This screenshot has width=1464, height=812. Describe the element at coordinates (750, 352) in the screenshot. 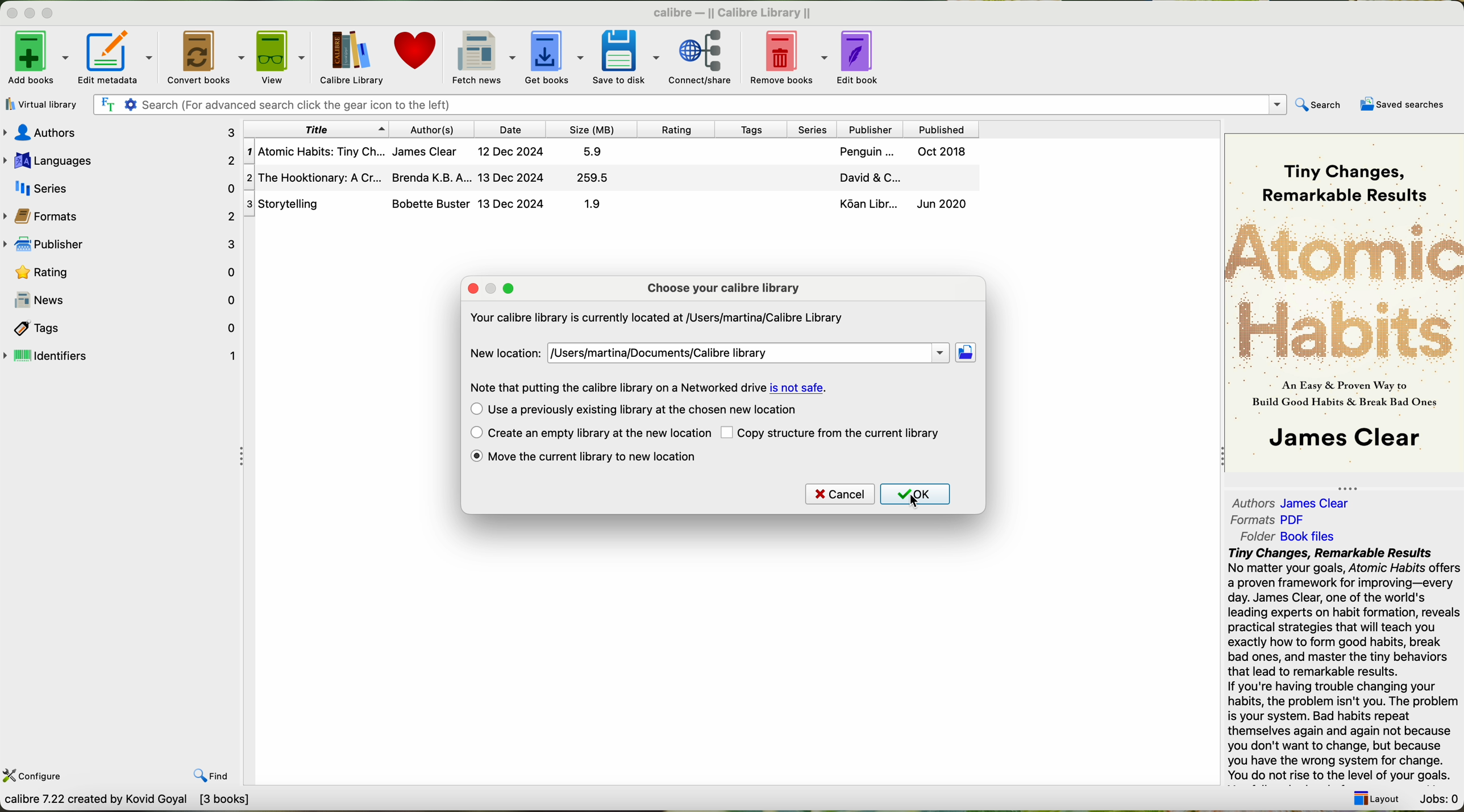

I see `/Users/martina/Documents/Calibre library` at that location.